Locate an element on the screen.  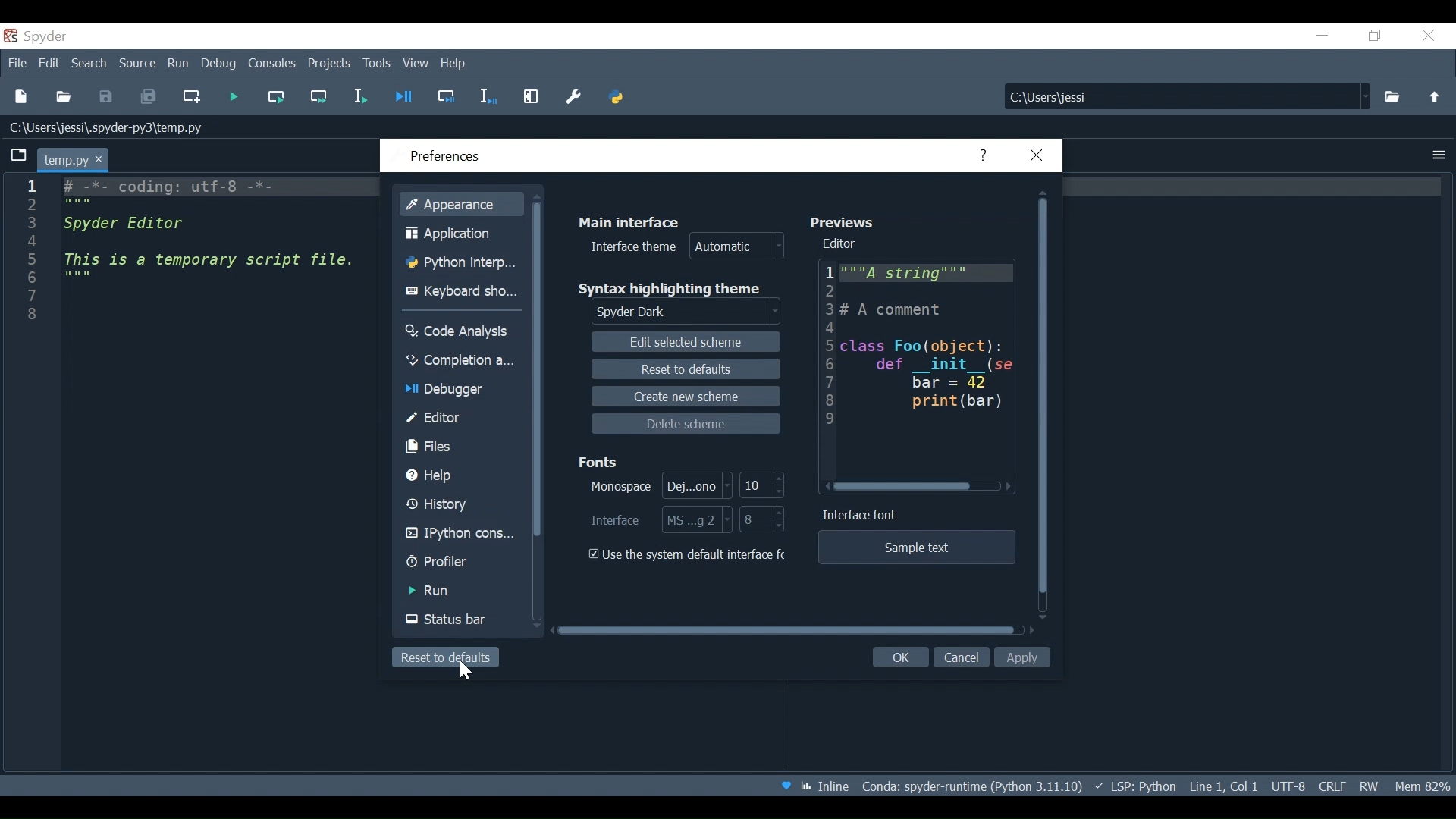
Run selection or current line is located at coordinates (360, 97).